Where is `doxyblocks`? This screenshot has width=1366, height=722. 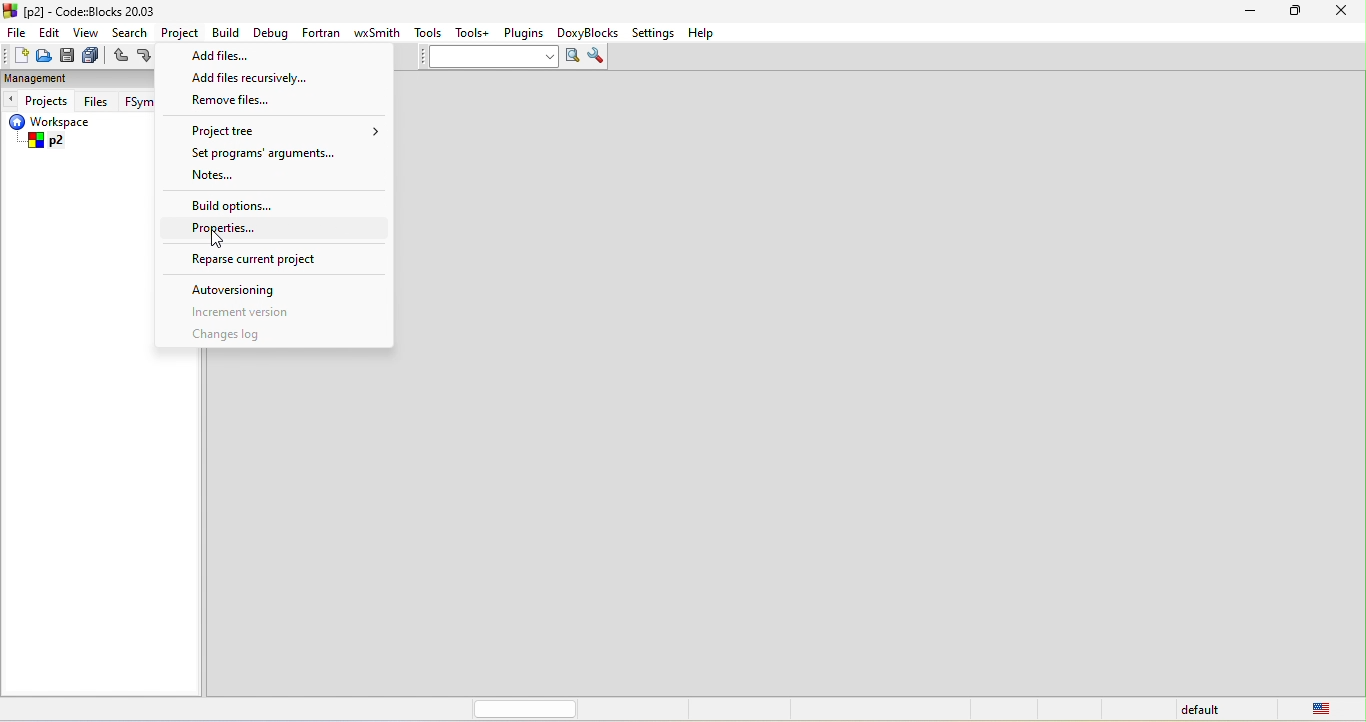
doxyblocks is located at coordinates (591, 32).